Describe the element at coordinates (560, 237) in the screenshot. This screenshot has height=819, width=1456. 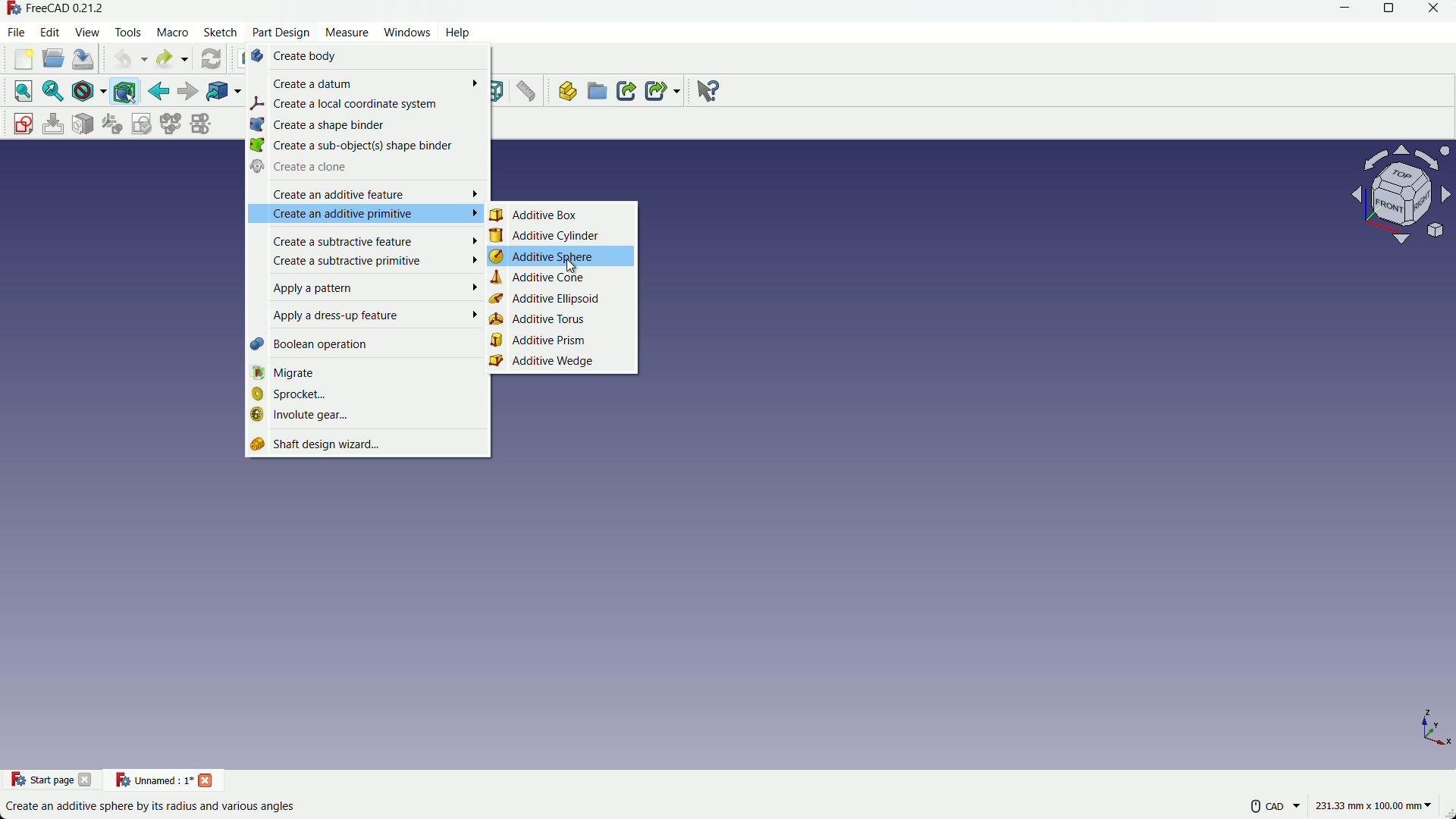
I see `additive cylinder` at that location.